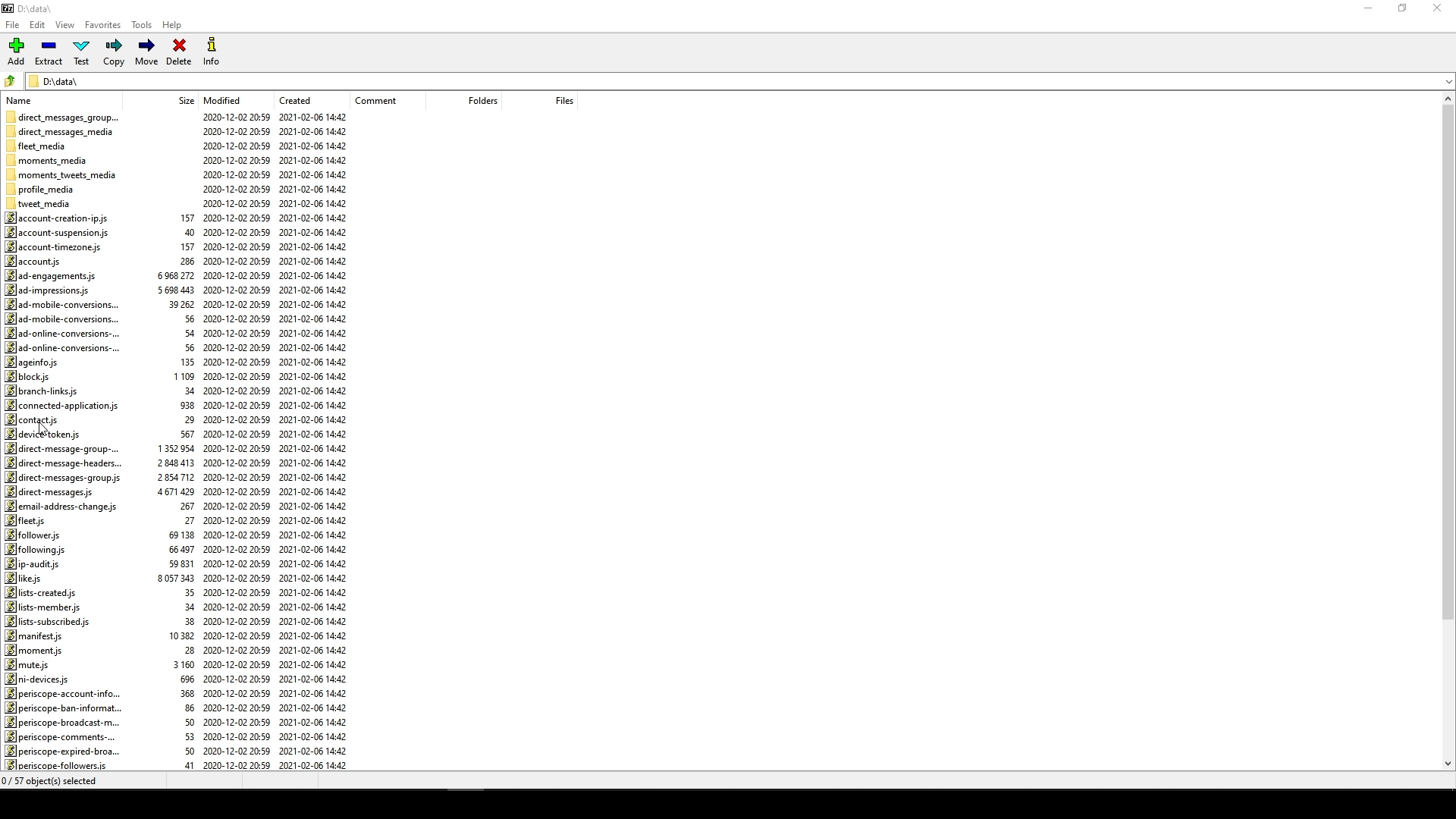 The height and width of the screenshot is (819, 1456). I want to click on down, so click(1435, 86).